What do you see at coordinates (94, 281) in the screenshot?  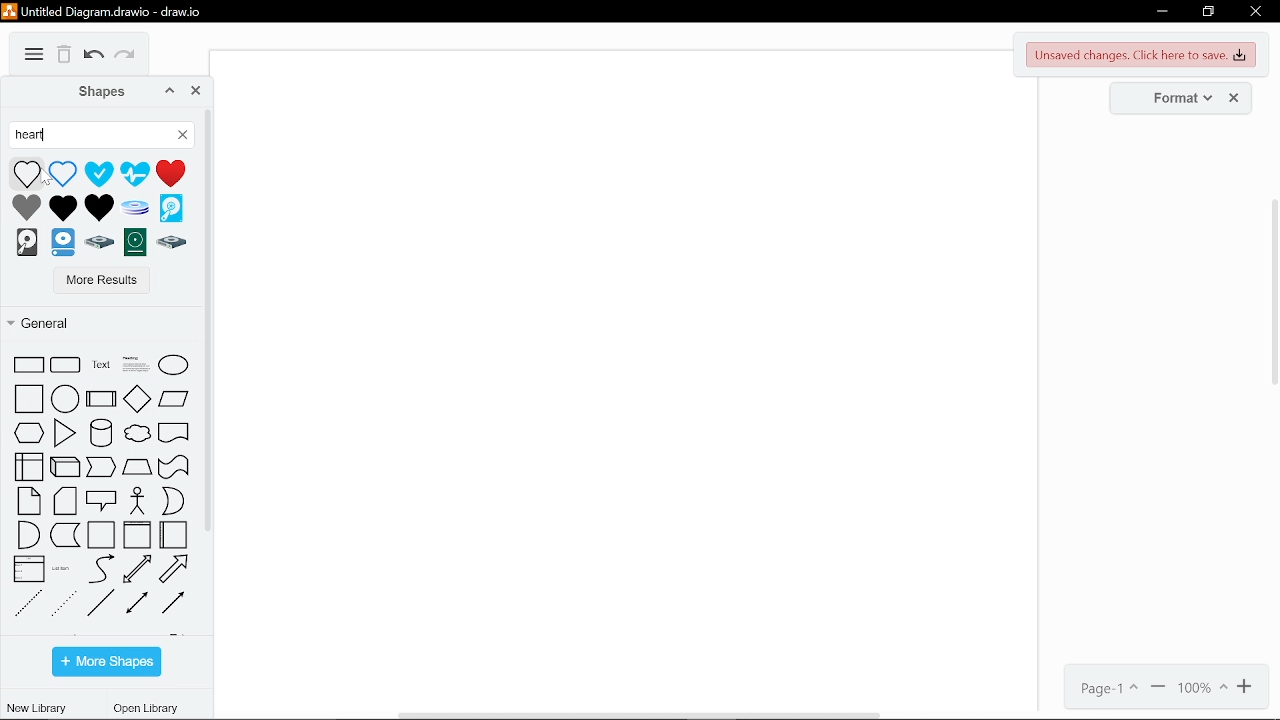 I see `More result` at bounding box center [94, 281].